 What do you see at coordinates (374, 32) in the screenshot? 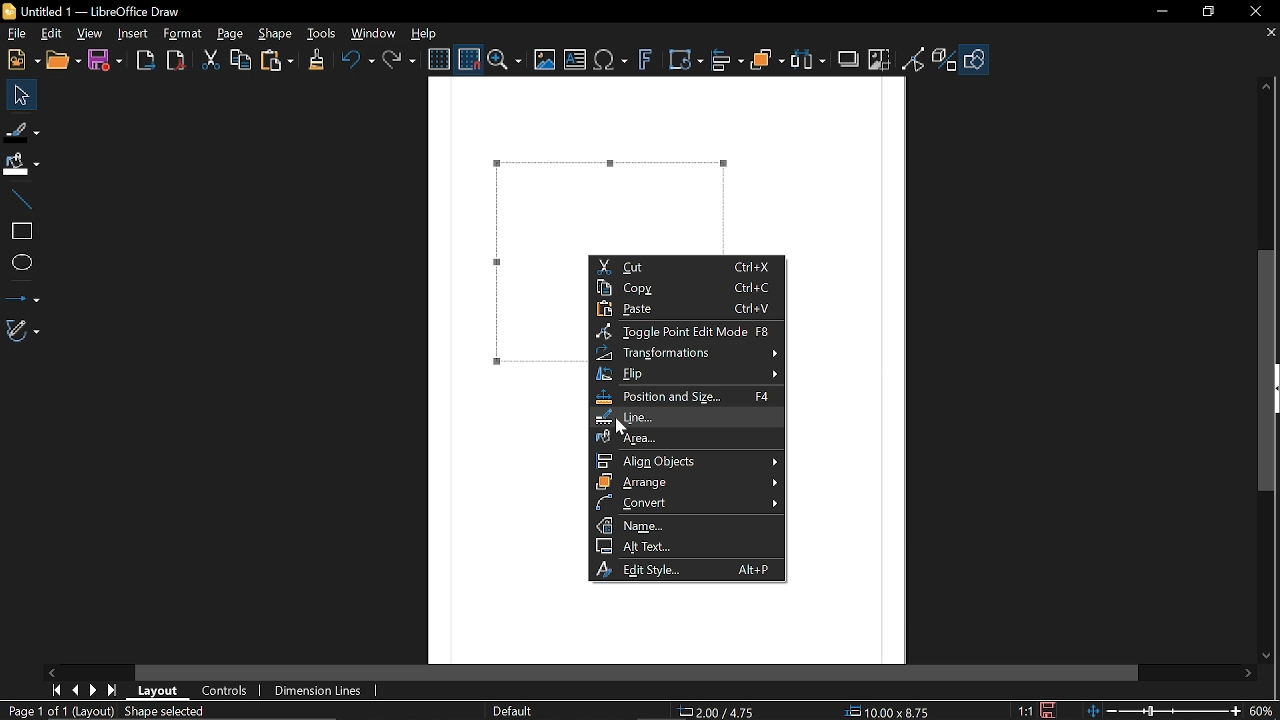
I see `Window` at bounding box center [374, 32].